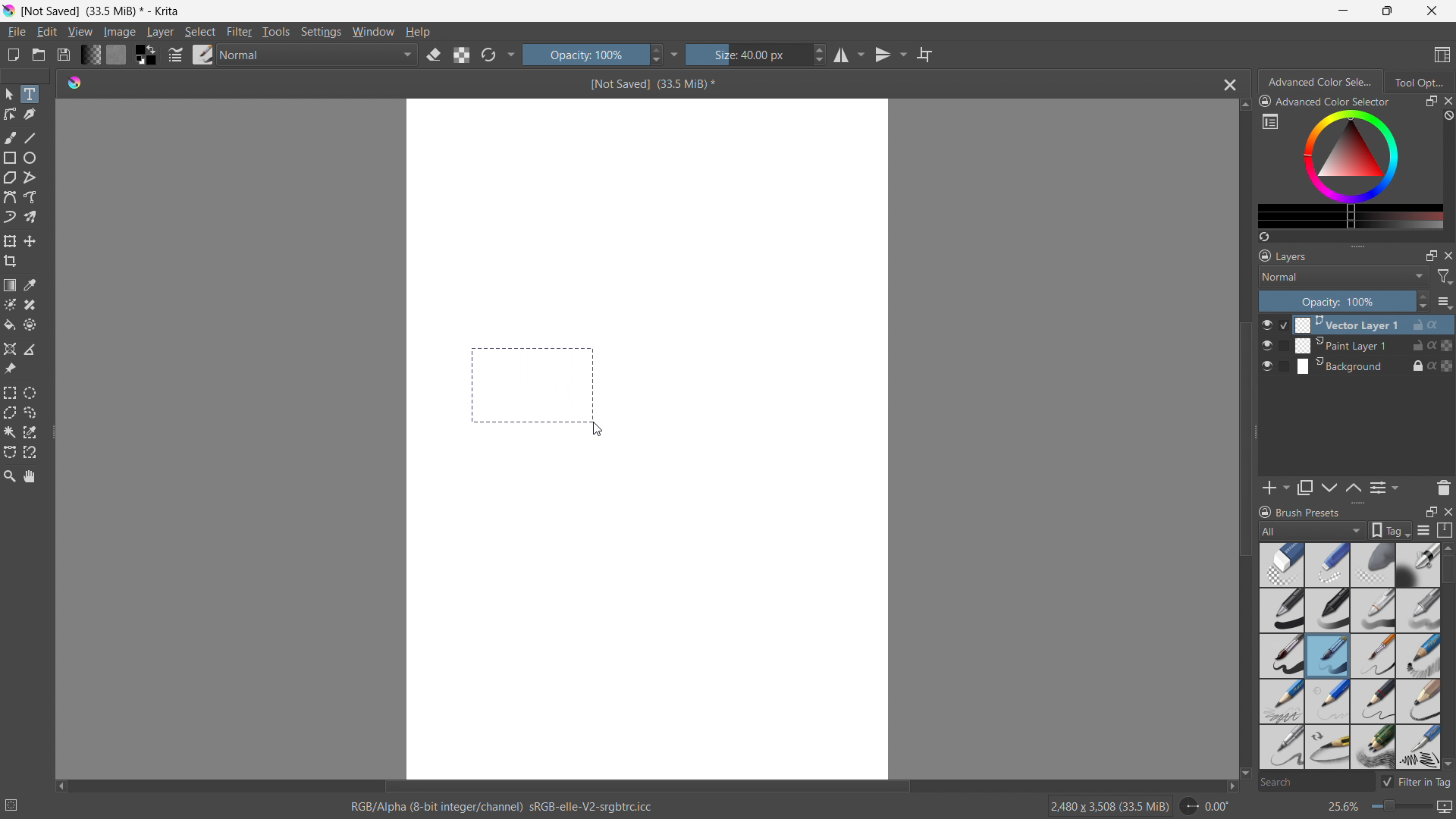 The width and height of the screenshot is (1456, 819). What do you see at coordinates (10, 369) in the screenshot?
I see `reference images tool` at bounding box center [10, 369].